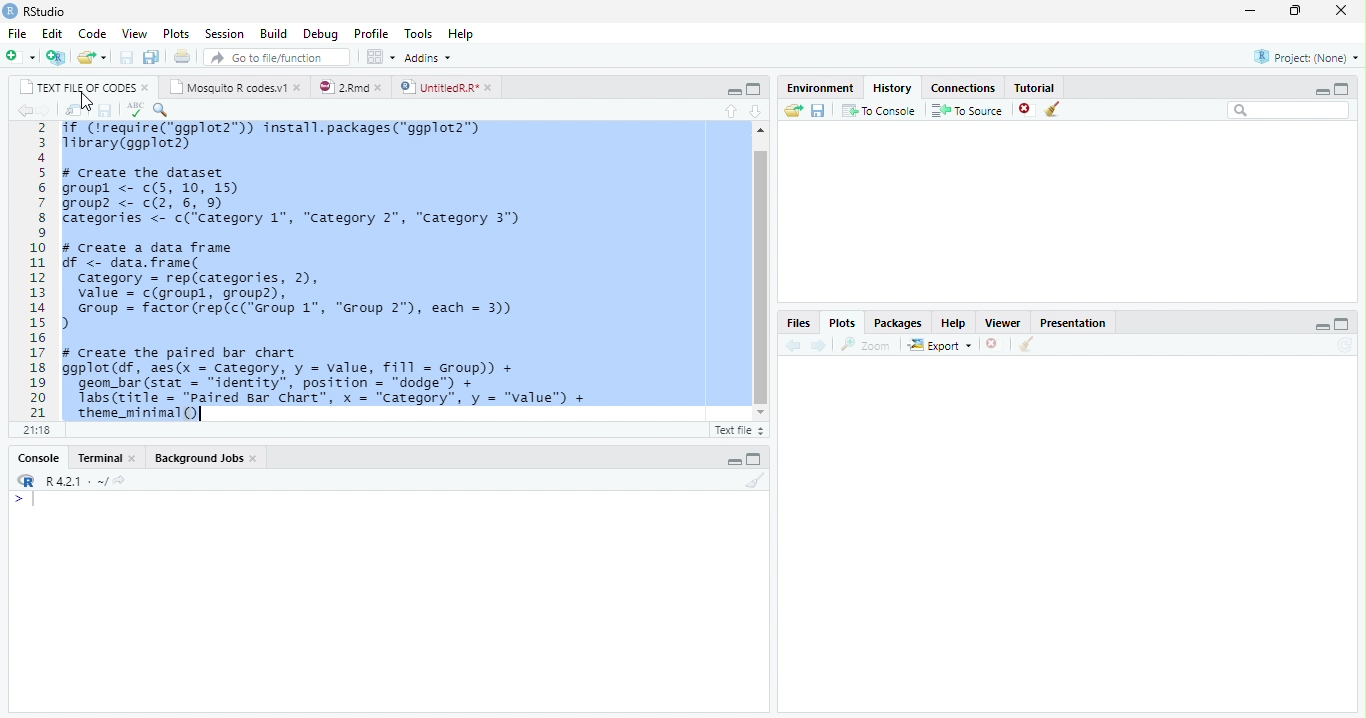 This screenshot has height=718, width=1366. I want to click on RStudio, so click(47, 11).